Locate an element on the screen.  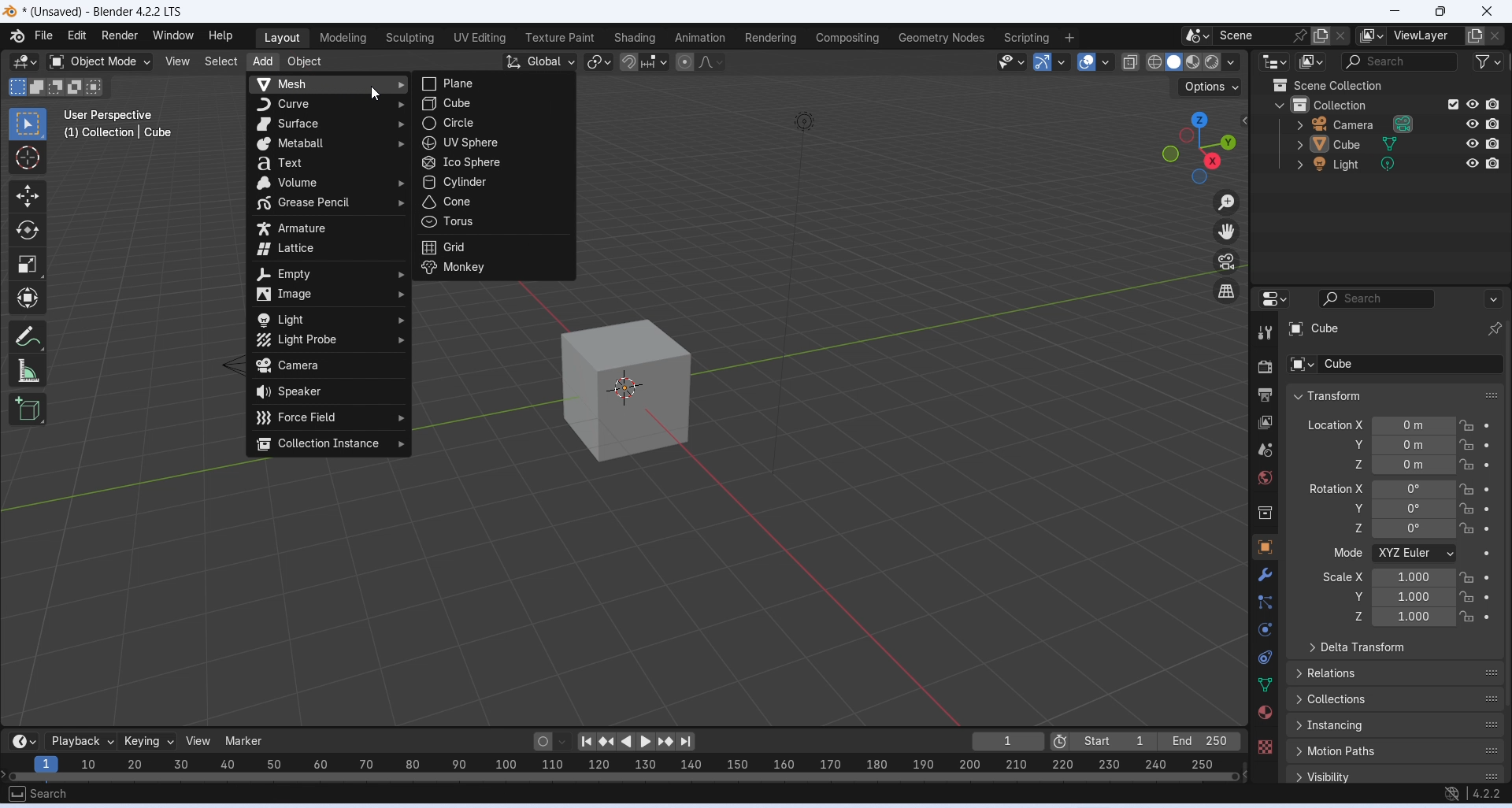
play animation is located at coordinates (648, 742).